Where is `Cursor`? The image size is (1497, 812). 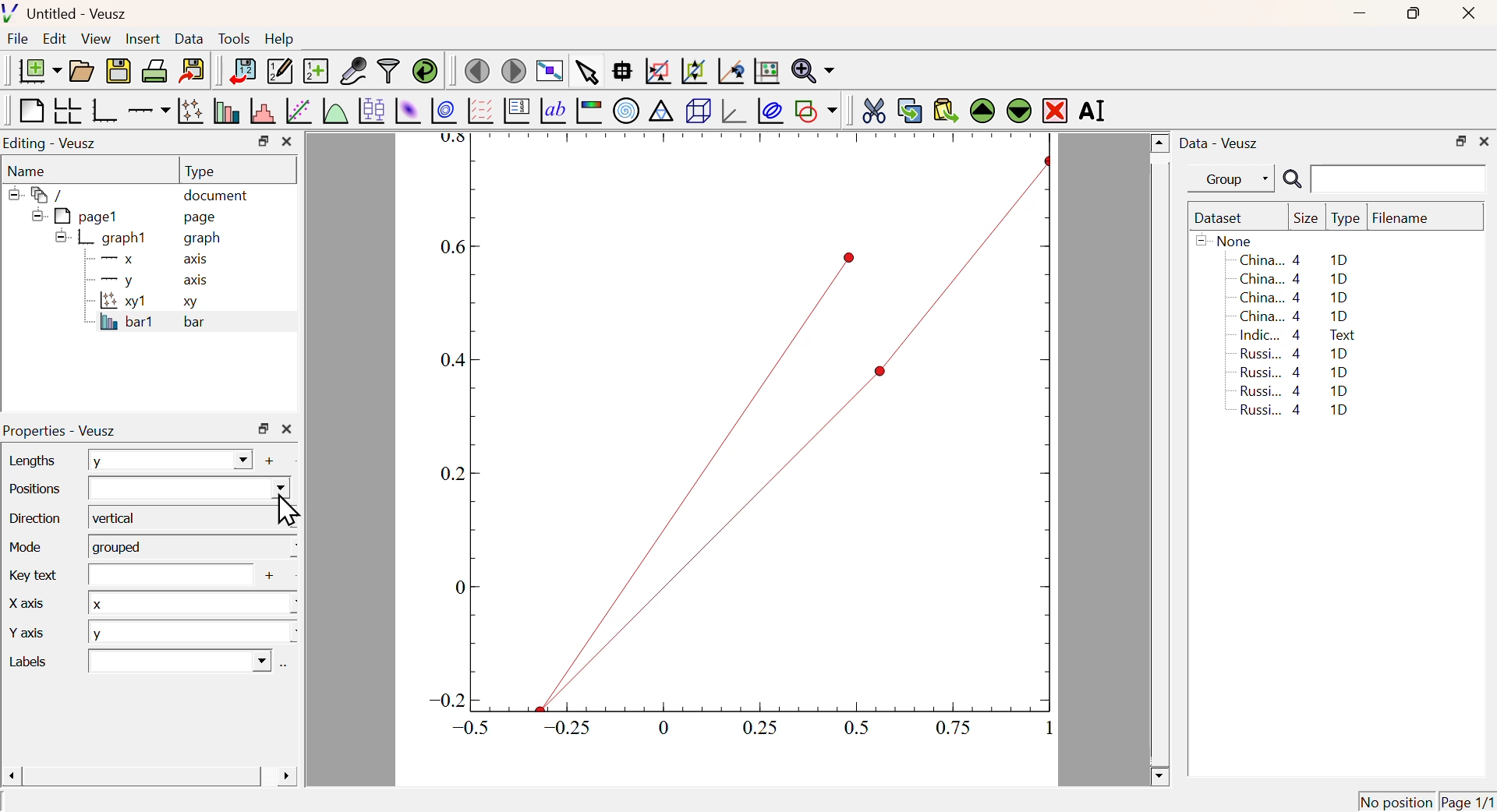 Cursor is located at coordinates (287, 511).